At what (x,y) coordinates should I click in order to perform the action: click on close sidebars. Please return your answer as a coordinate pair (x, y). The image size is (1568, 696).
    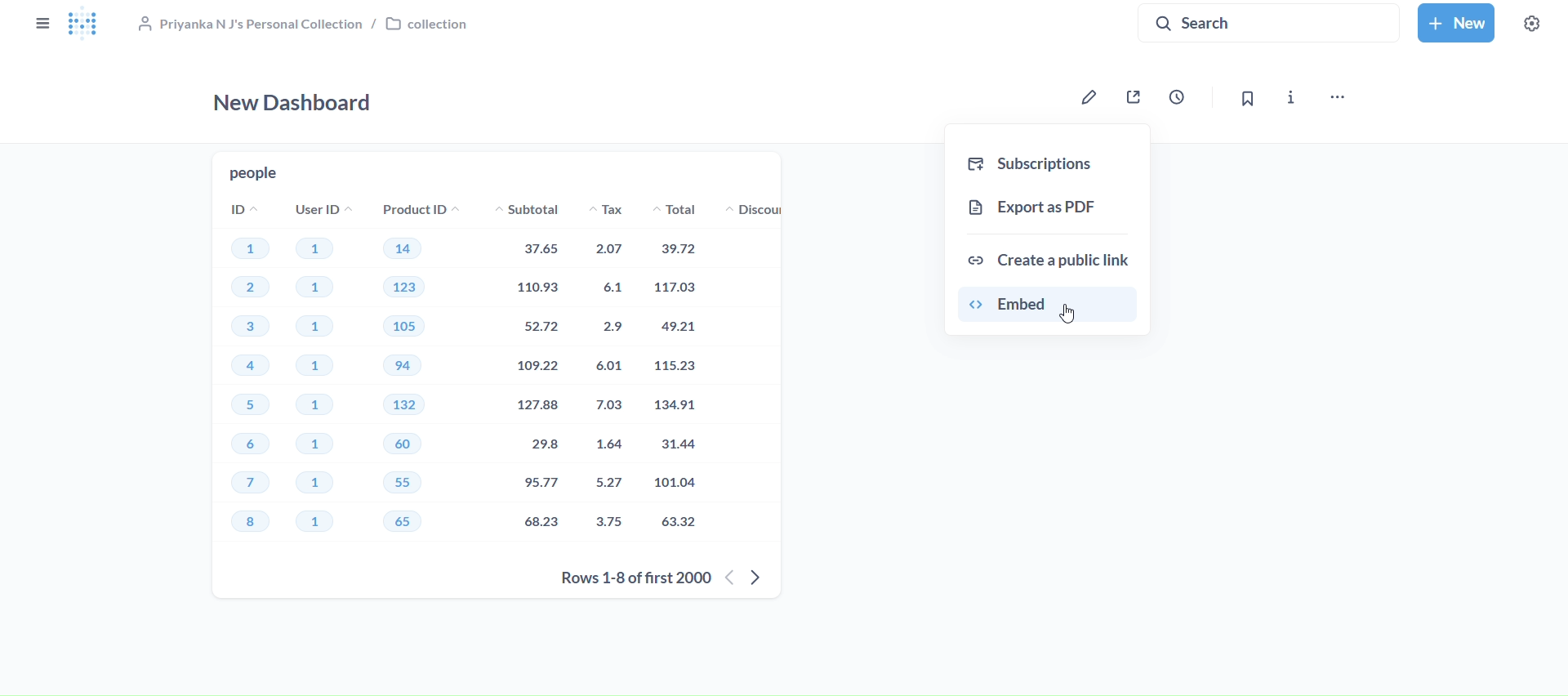
    Looking at the image, I should click on (41, 25).